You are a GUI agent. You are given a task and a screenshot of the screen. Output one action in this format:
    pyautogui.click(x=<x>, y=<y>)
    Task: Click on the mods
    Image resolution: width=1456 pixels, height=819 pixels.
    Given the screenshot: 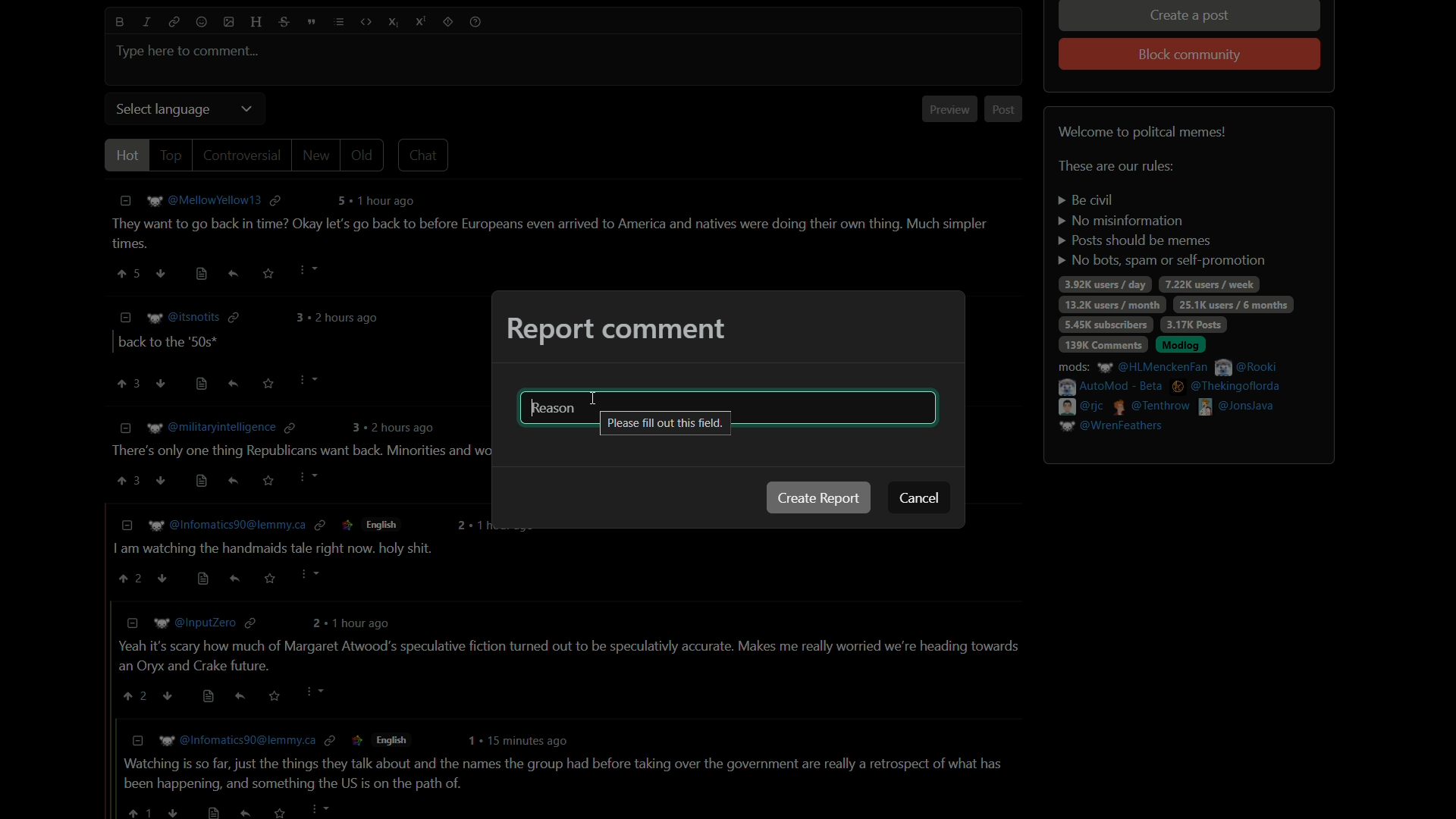 What is the action you would take?
    pyautogui.click(x=1172, y=396)
    